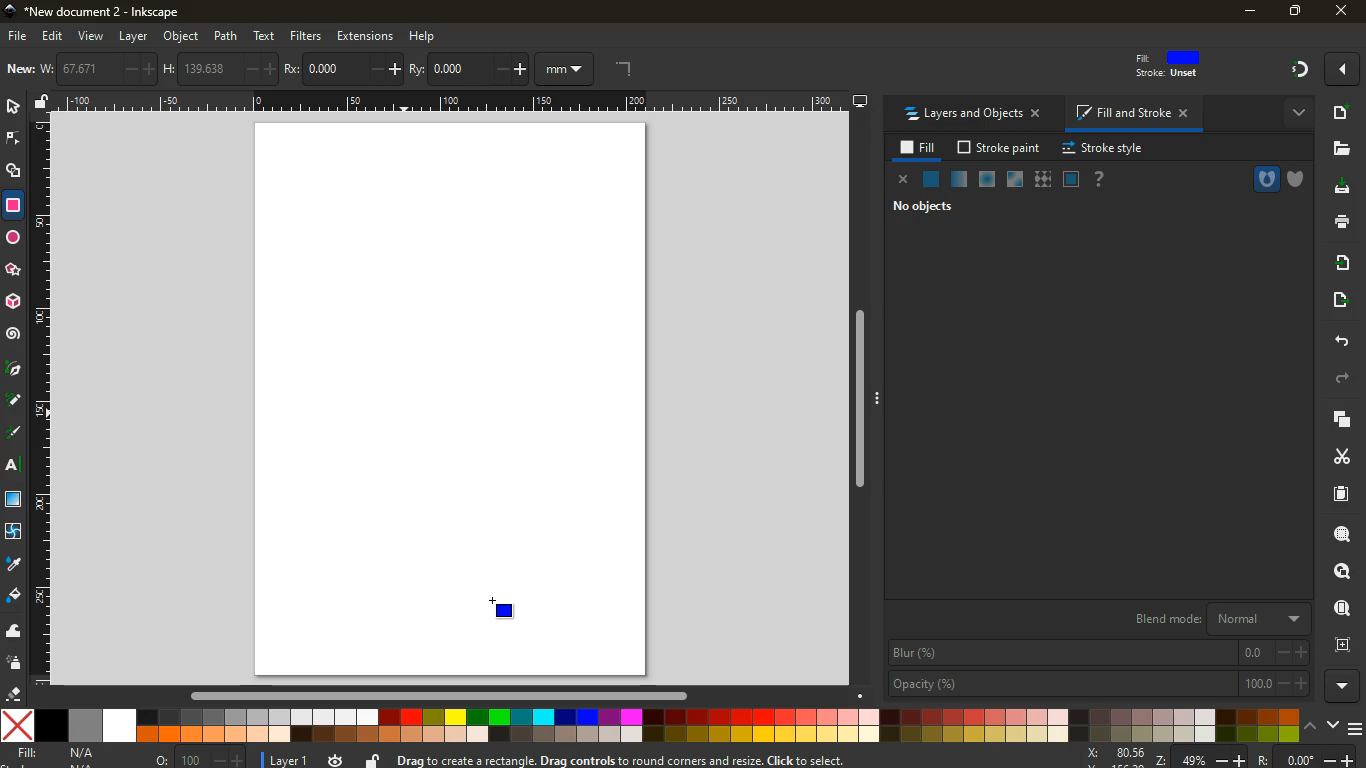  I want to click on new, so click(19, 69).